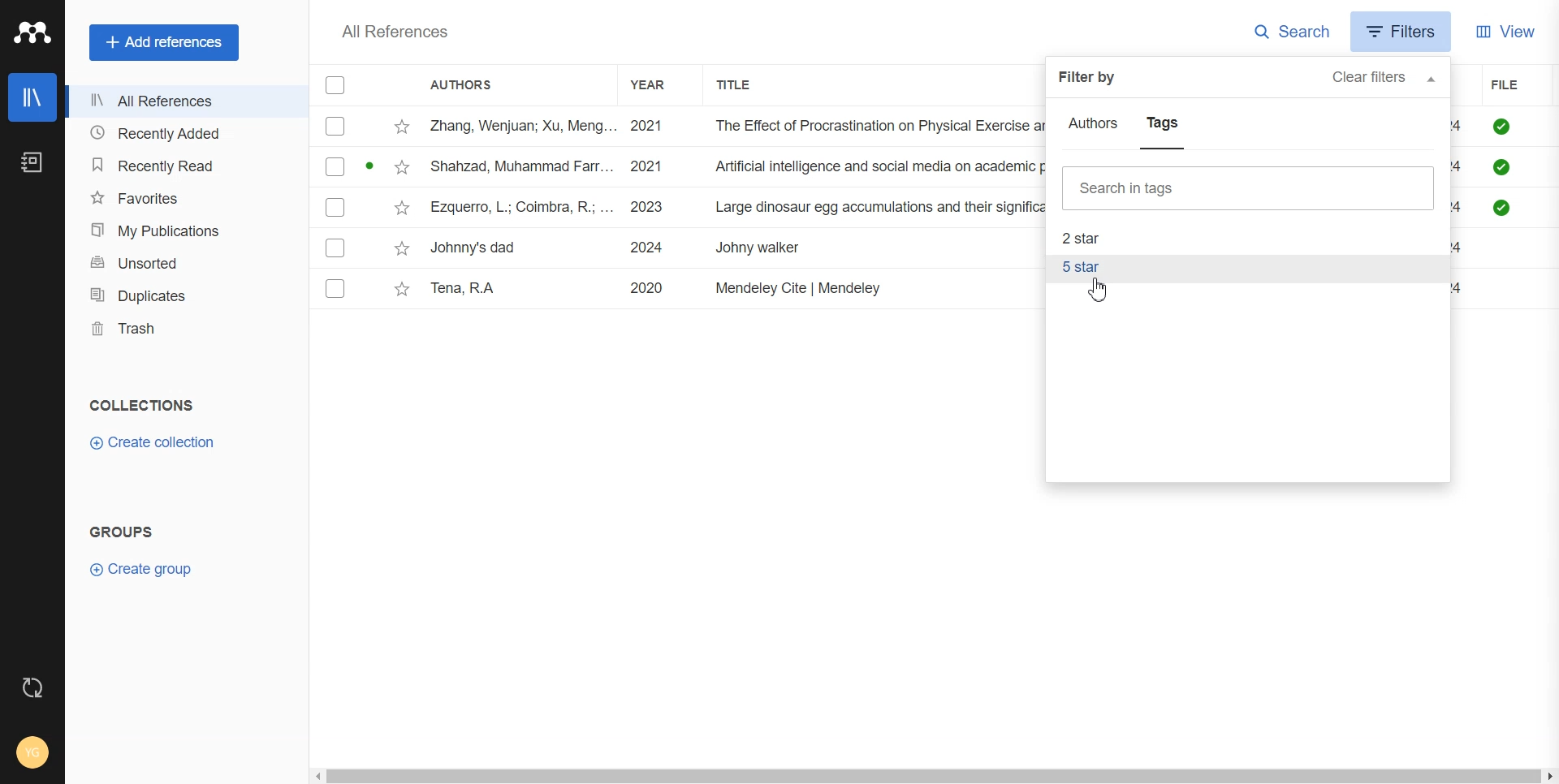  What do you see at coordinates (149, 569) in the screenshot?
I see `Create Group` at bounding box center [149, 569].